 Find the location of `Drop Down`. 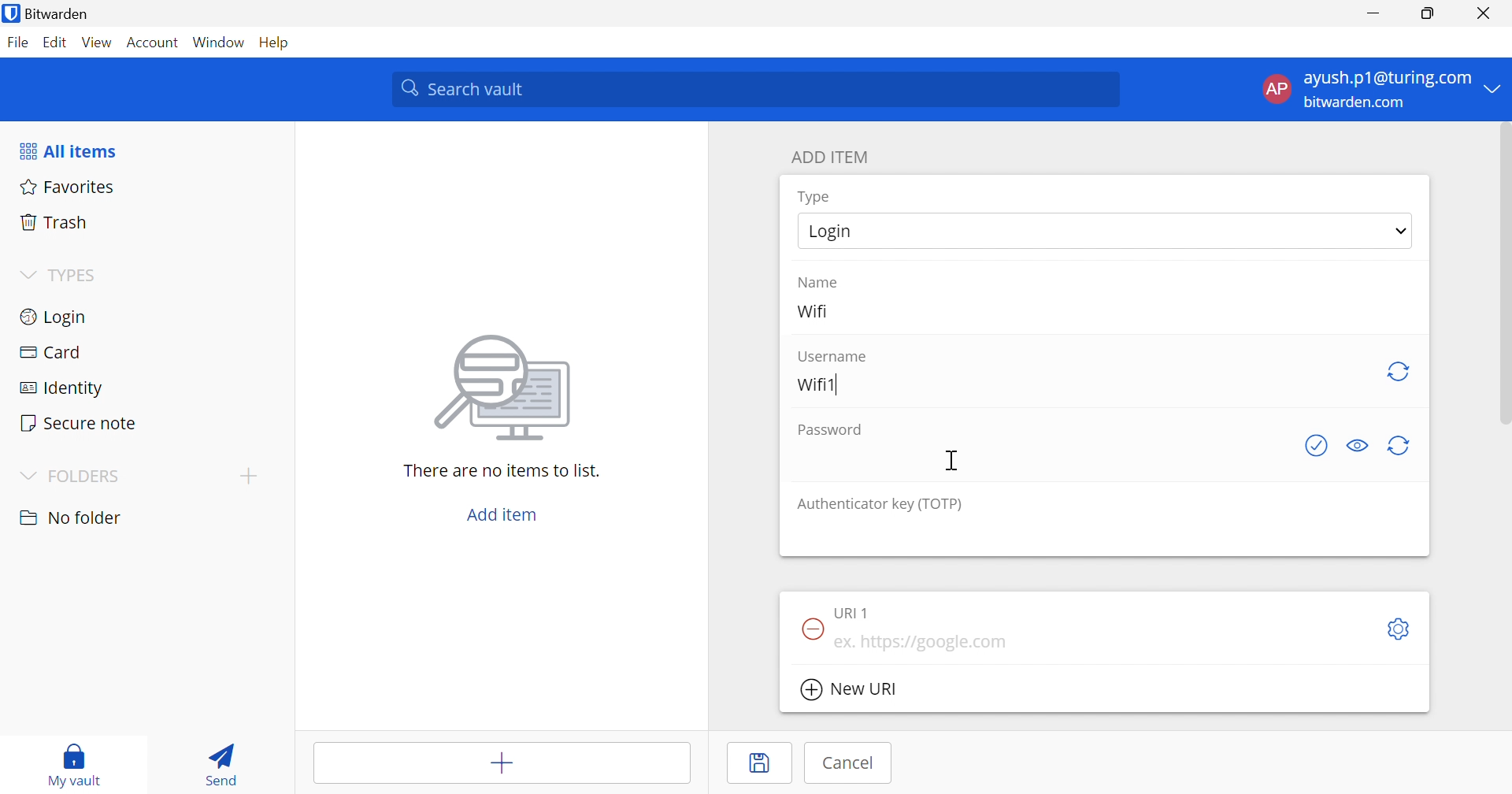

Drop Down is located at coordinates (248, 475).